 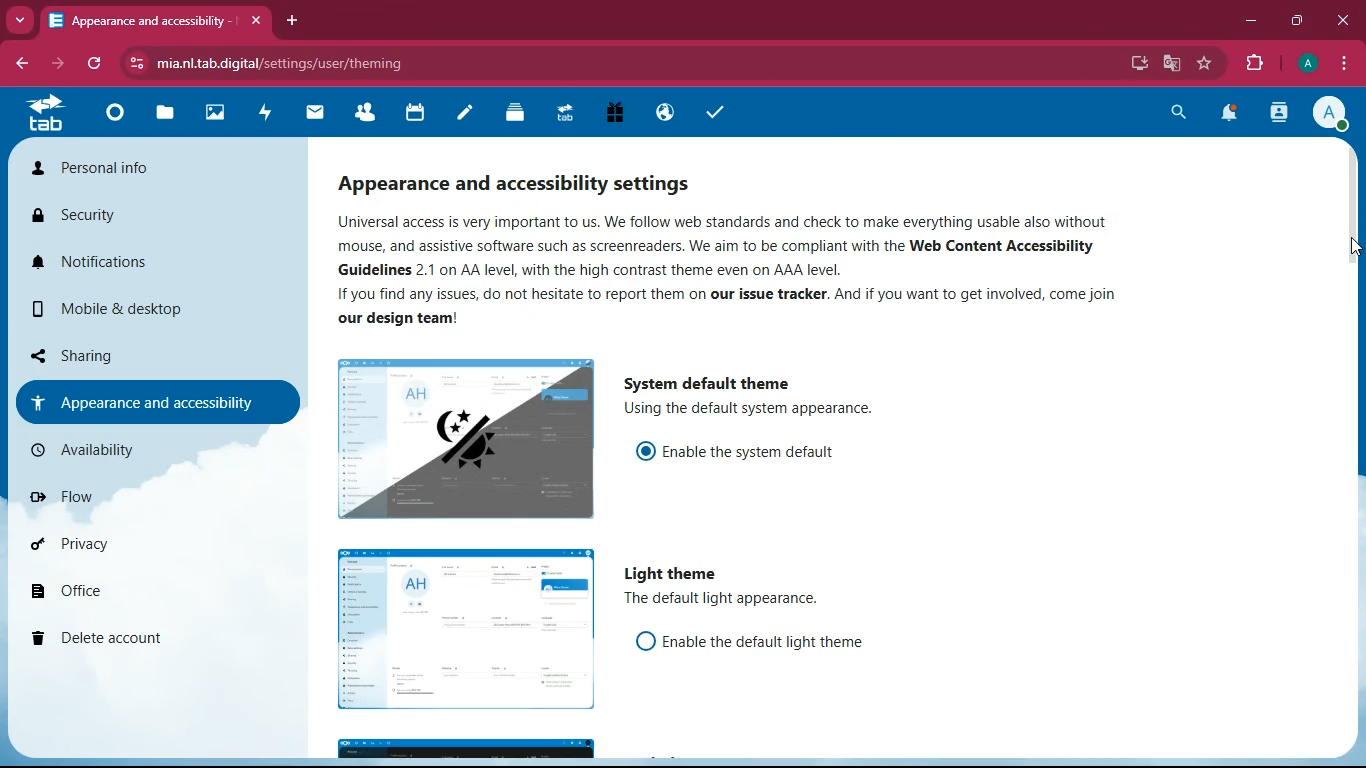 I want to click on google translate, so click(x=1176, y=64).